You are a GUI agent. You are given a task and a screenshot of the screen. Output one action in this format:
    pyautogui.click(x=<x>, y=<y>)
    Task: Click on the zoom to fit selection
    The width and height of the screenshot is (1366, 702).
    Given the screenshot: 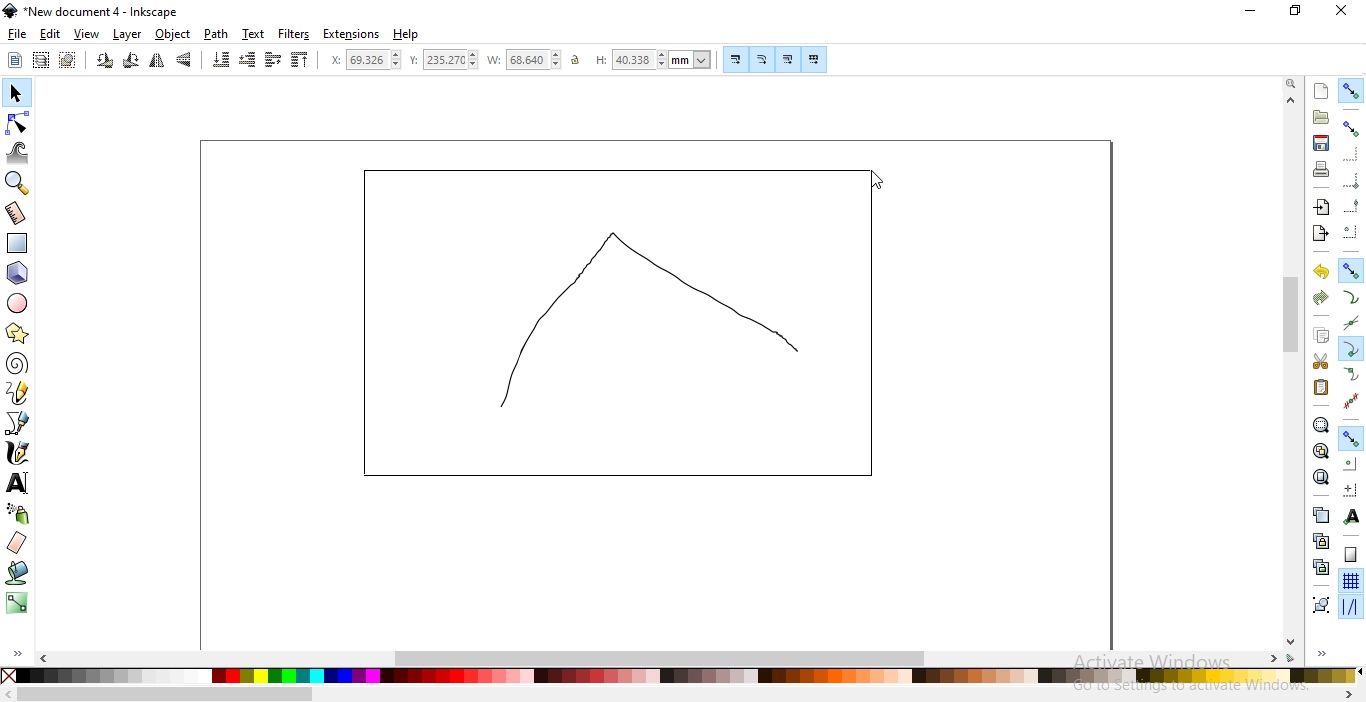 What is the action you would take?
    pyautogui.click(x=1319, y=424)
    